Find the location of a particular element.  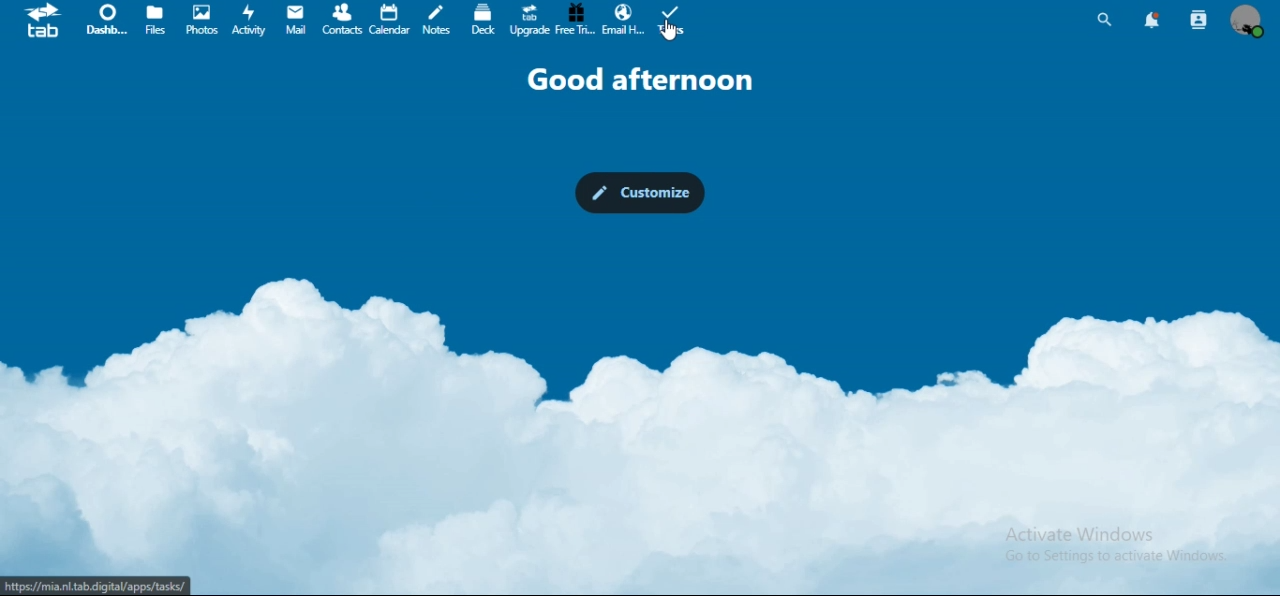

customize is located at coordinates (637, 193).